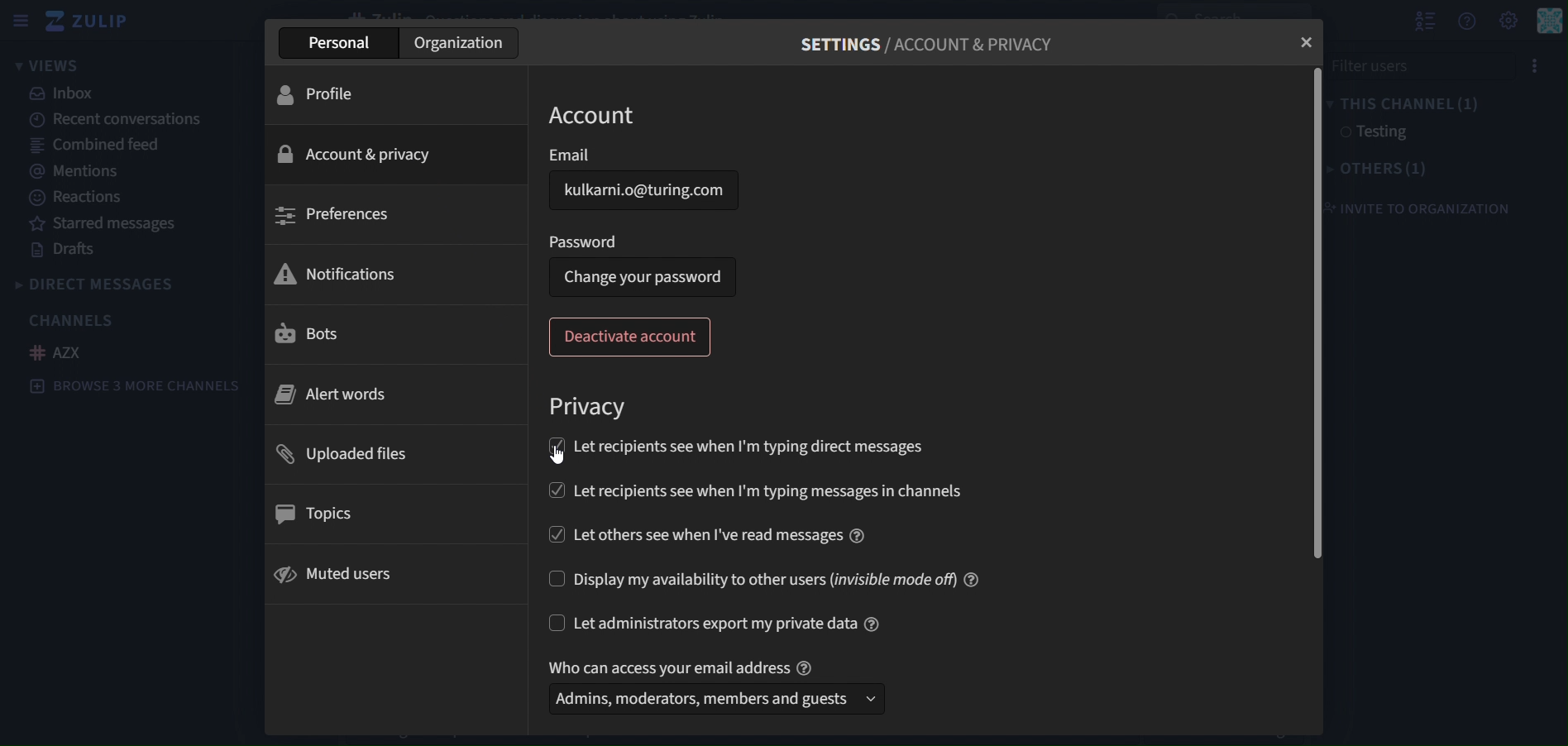 Image resolution: width=1568 pixels, height=746 pixels. I want to click on testing, so click(1398, 134).